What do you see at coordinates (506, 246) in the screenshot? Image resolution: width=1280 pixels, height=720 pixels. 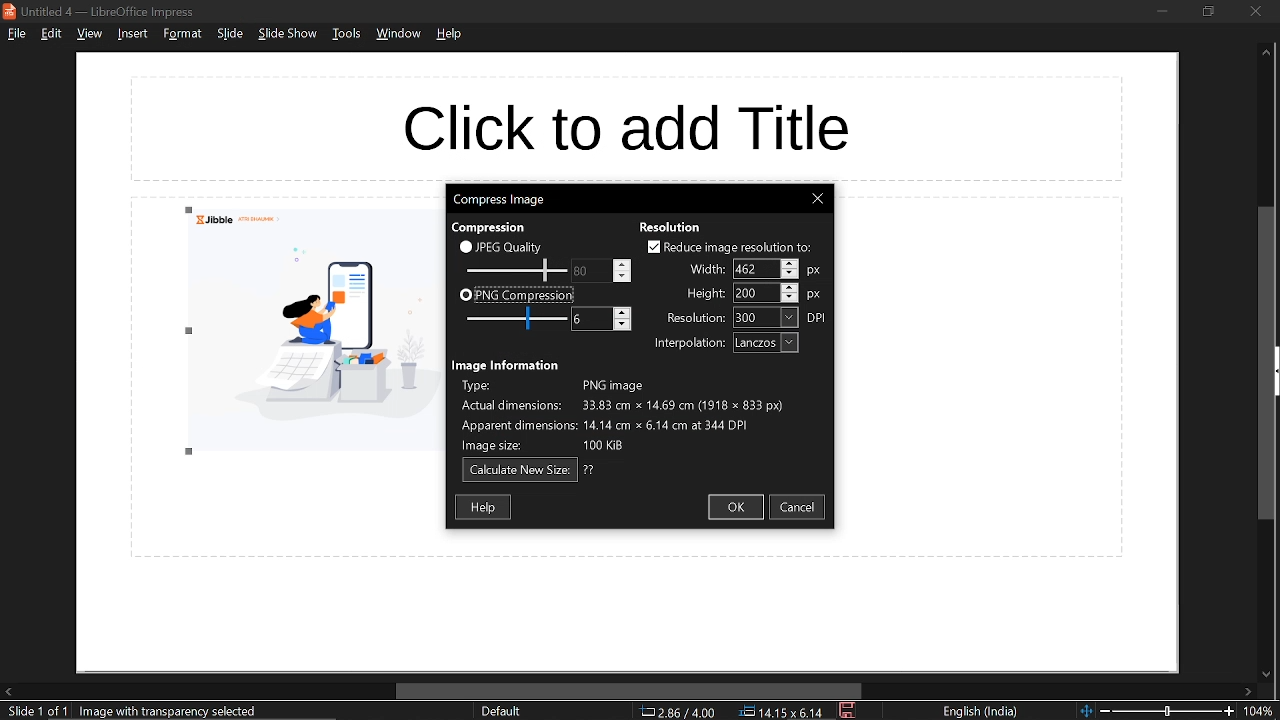 I see `JPEG quality` at bounding box center [506, 246].